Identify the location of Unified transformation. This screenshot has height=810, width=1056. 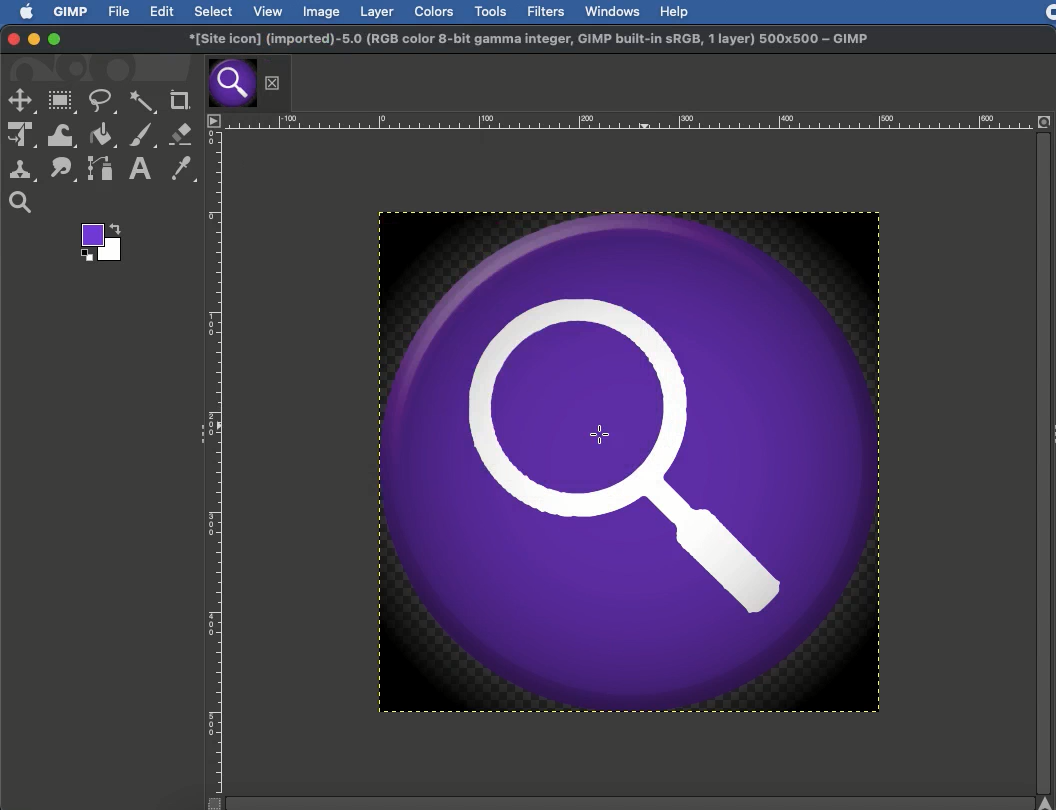
(21, 136).